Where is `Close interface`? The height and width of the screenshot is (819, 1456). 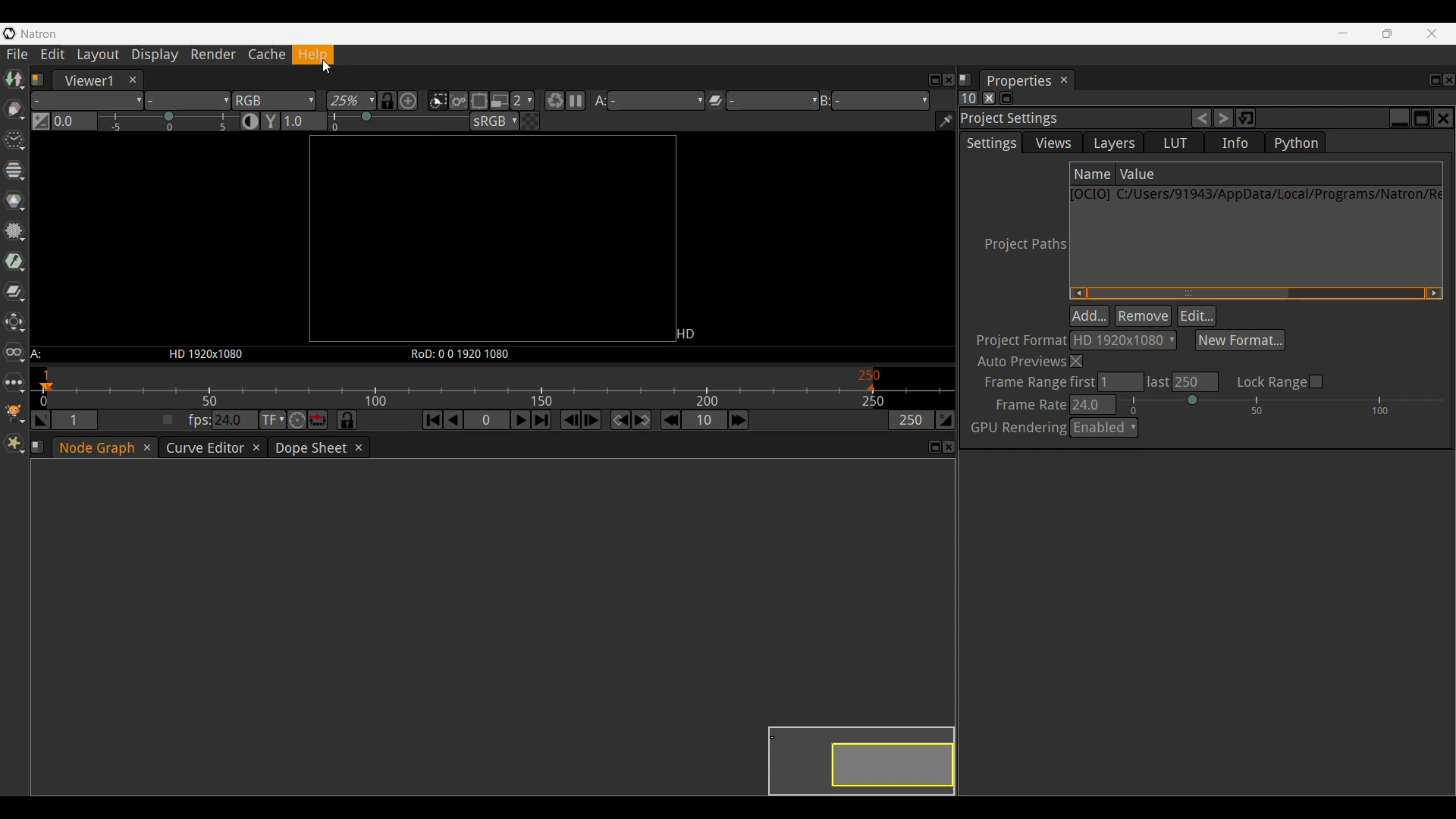 Close interface is located at coordinates (1432, 33).